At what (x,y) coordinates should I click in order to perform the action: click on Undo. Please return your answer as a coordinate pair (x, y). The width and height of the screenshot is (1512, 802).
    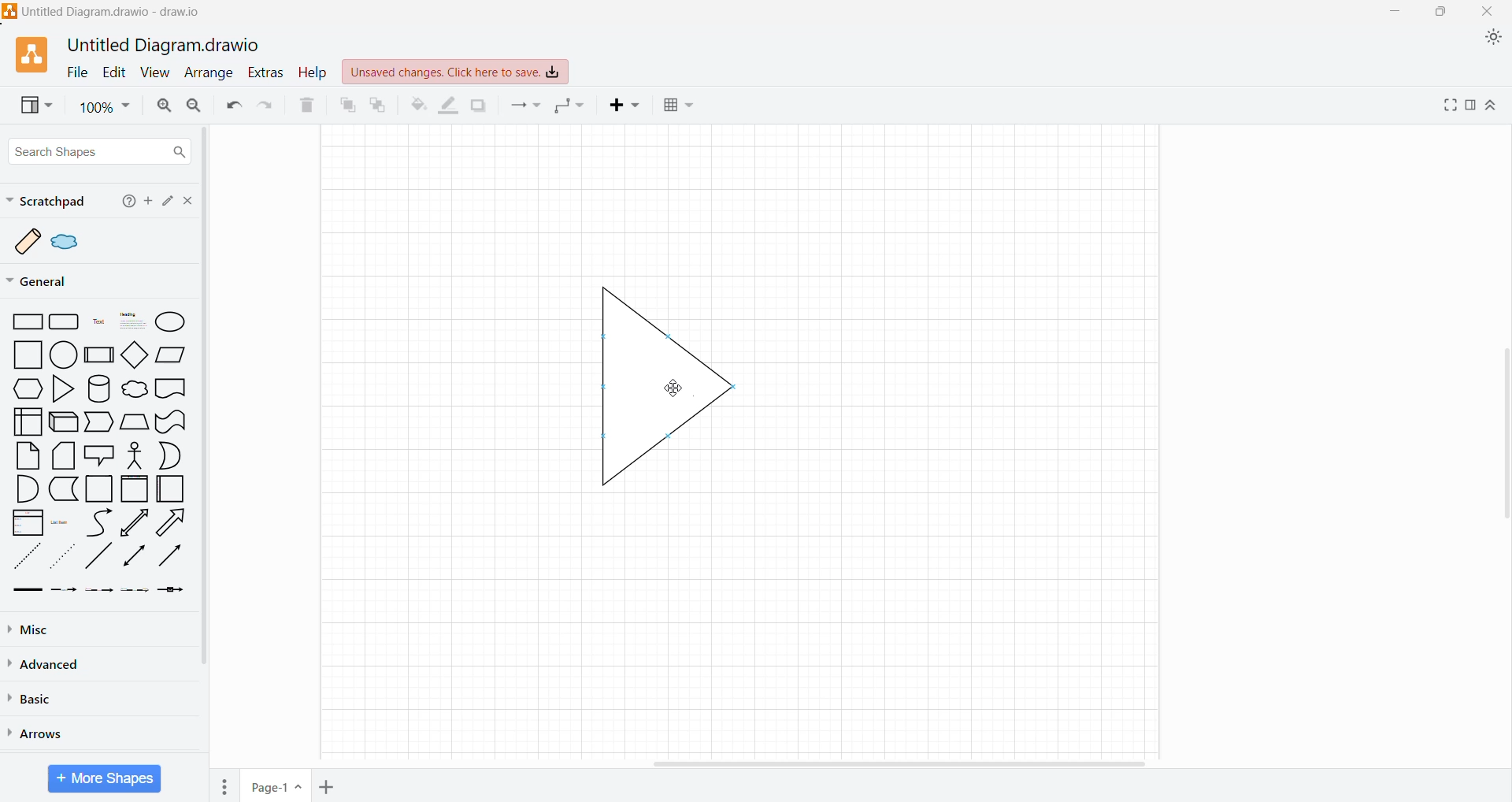
    Looking at the image, I should click on (229, 106).